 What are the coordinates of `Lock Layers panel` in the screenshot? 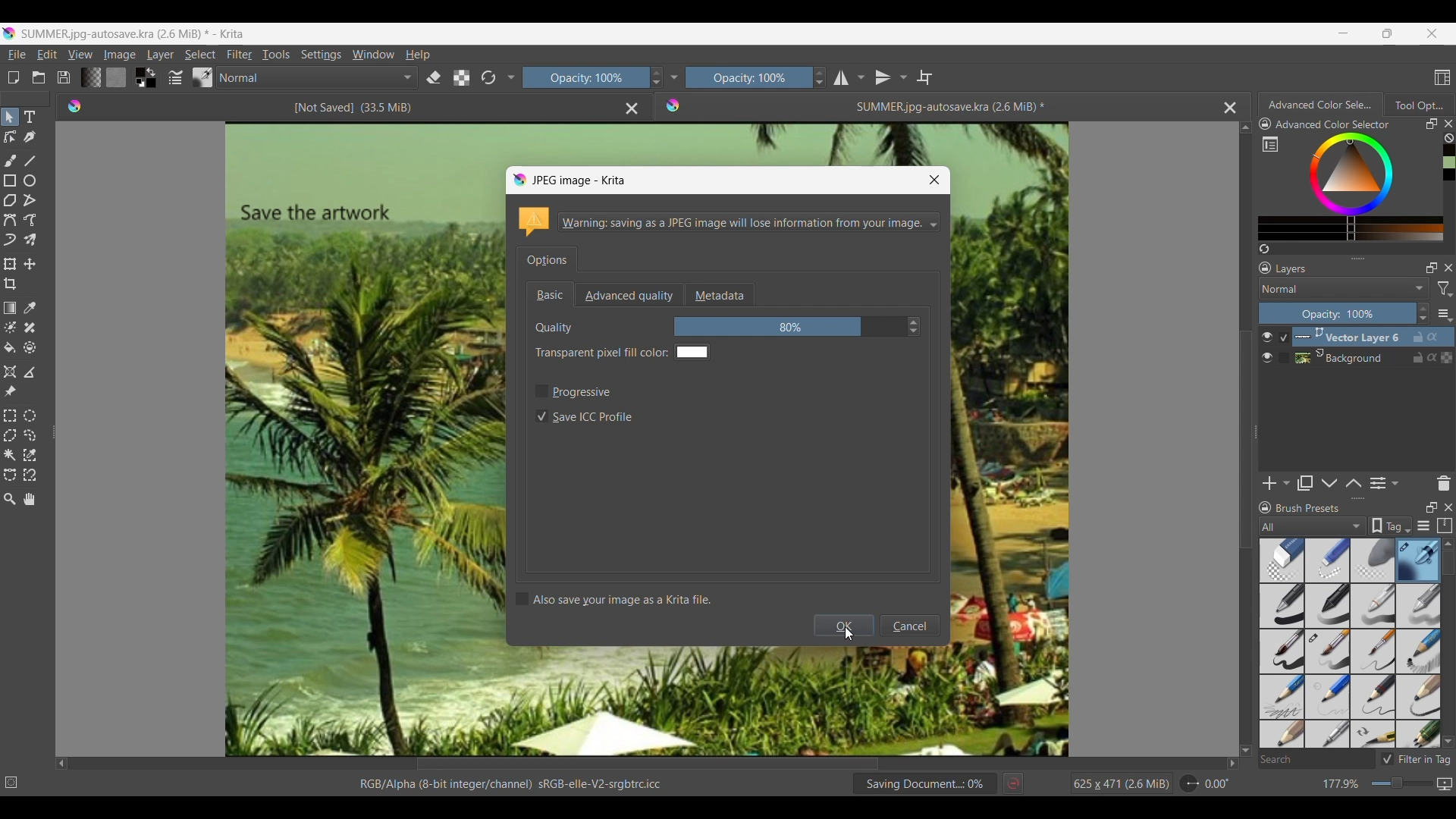 It's located at (1266, 268).